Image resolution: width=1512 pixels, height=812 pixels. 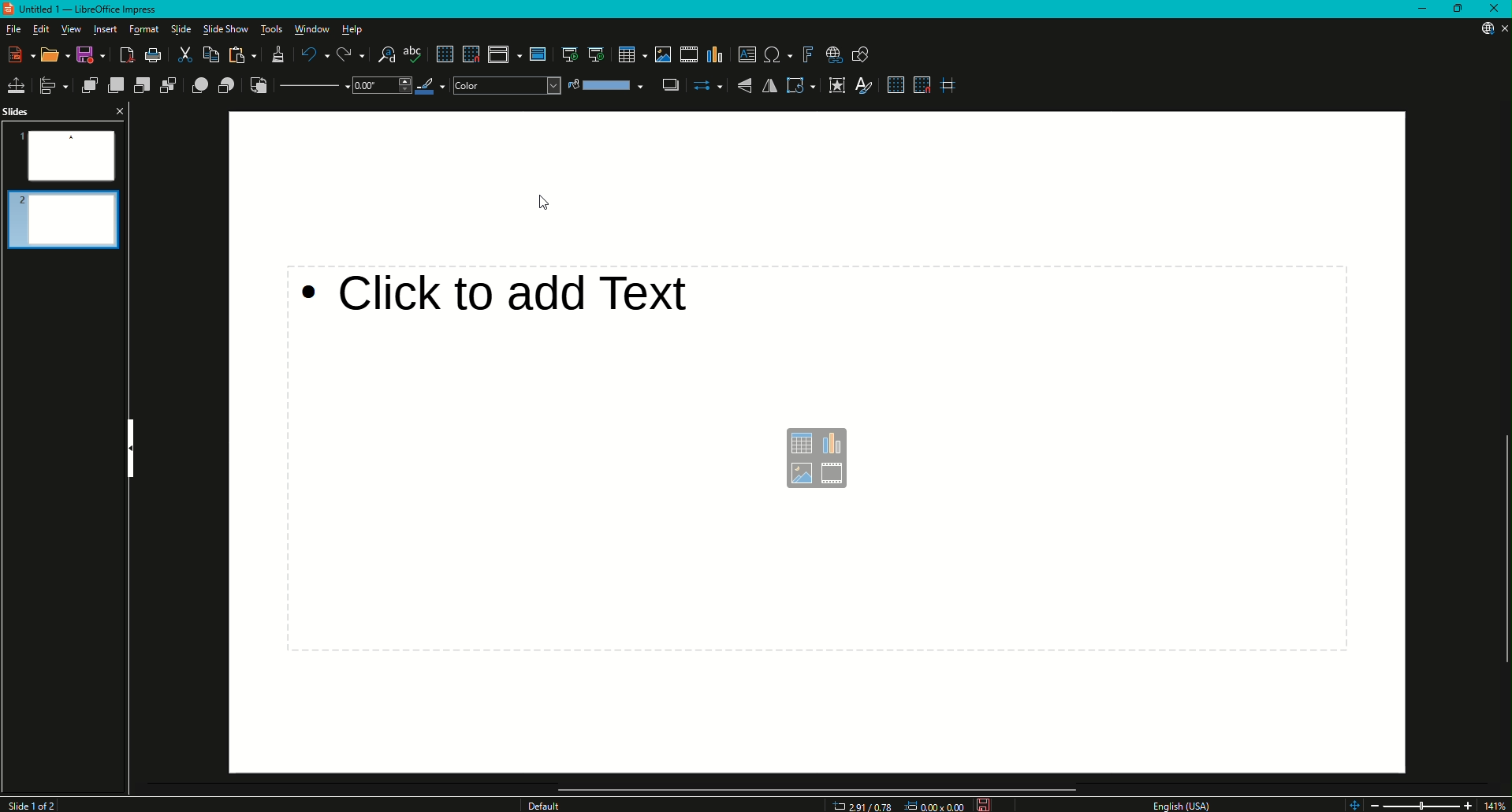 I want to click on Display Grid, so click(x=893, y=86).